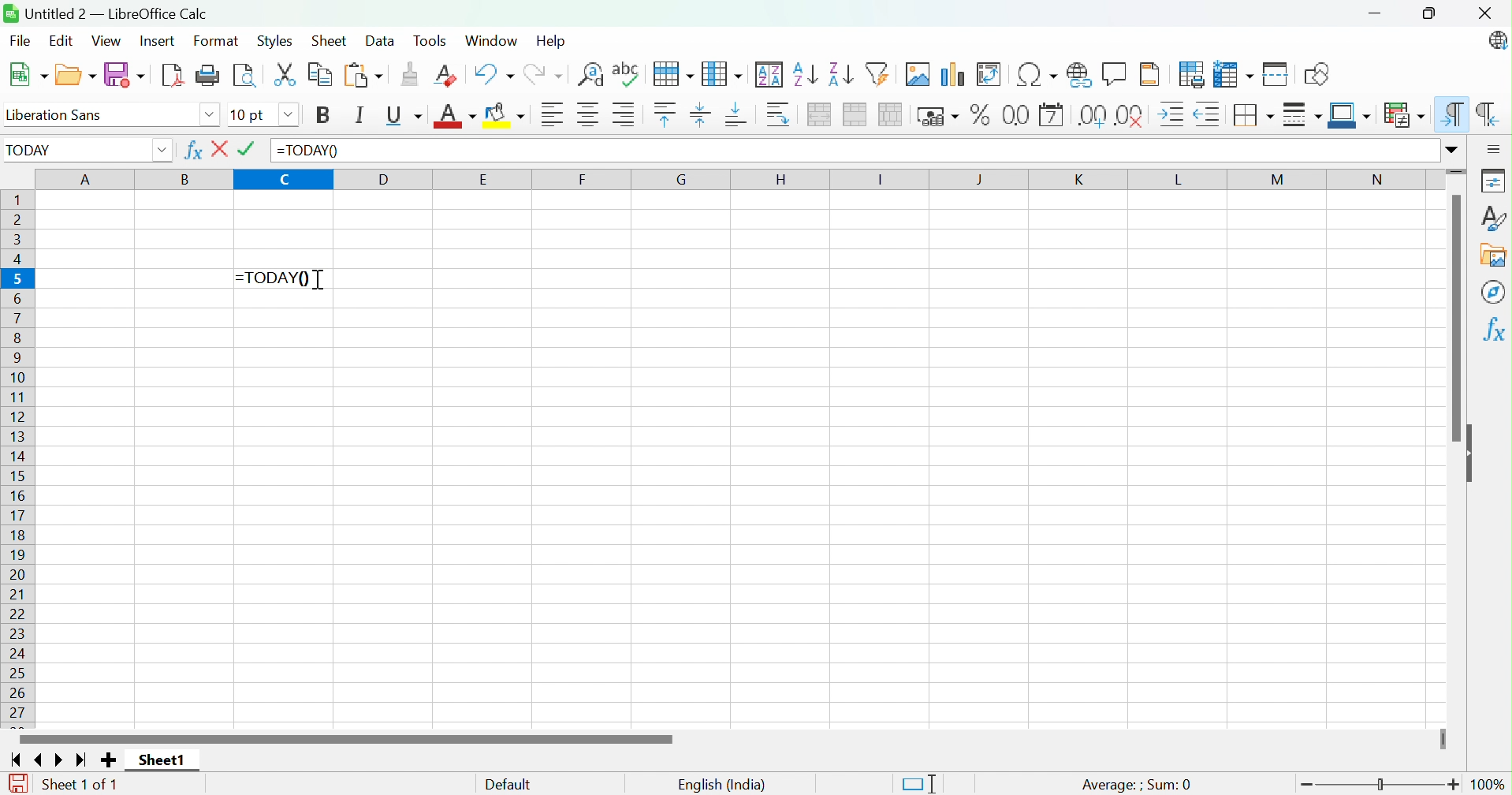  What do you see at coordinates (770, 75) in the screenshot?
I see `Sort` at bounding box center [770, 75].